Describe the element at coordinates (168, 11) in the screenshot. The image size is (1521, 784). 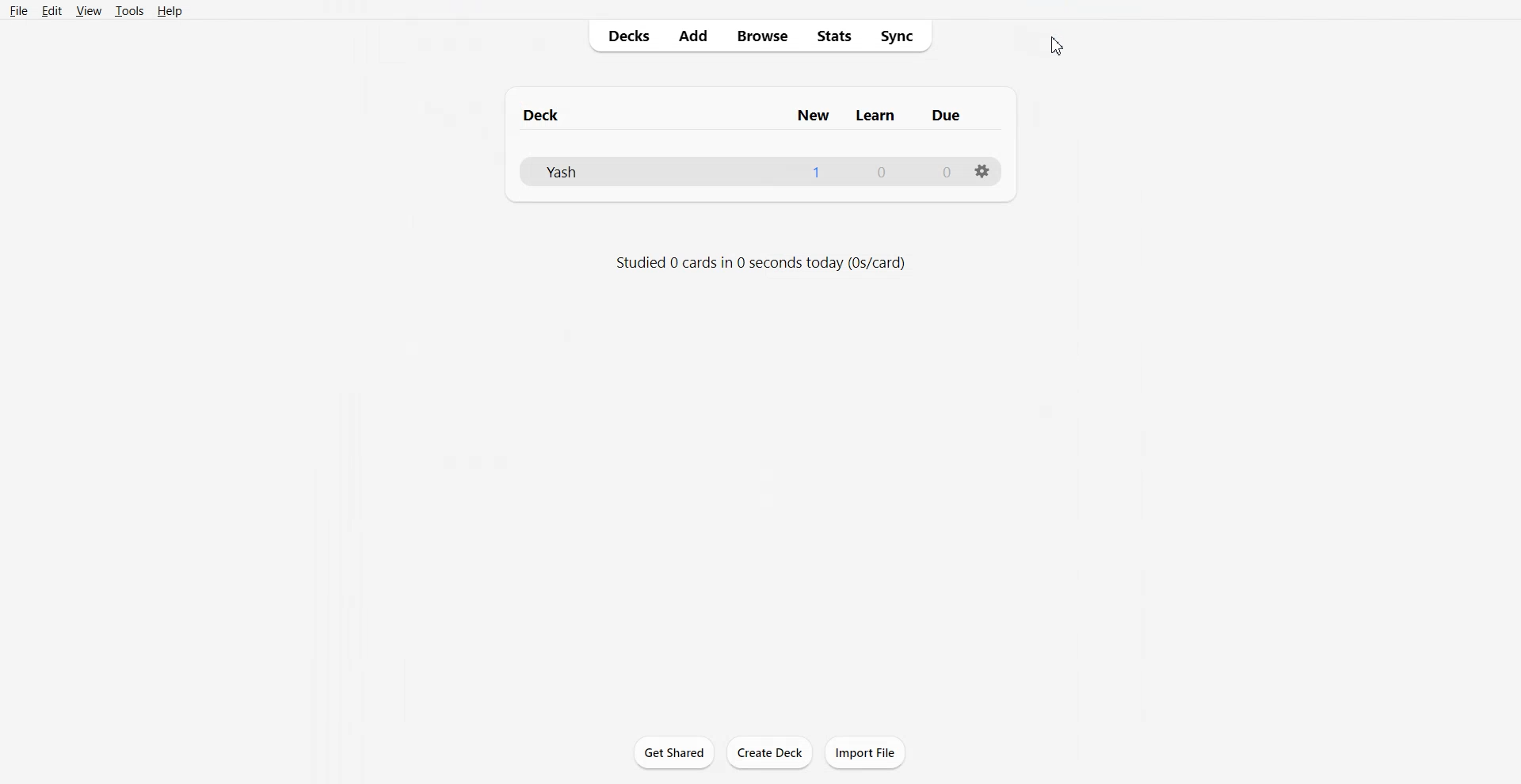
I see `Help` at that location.